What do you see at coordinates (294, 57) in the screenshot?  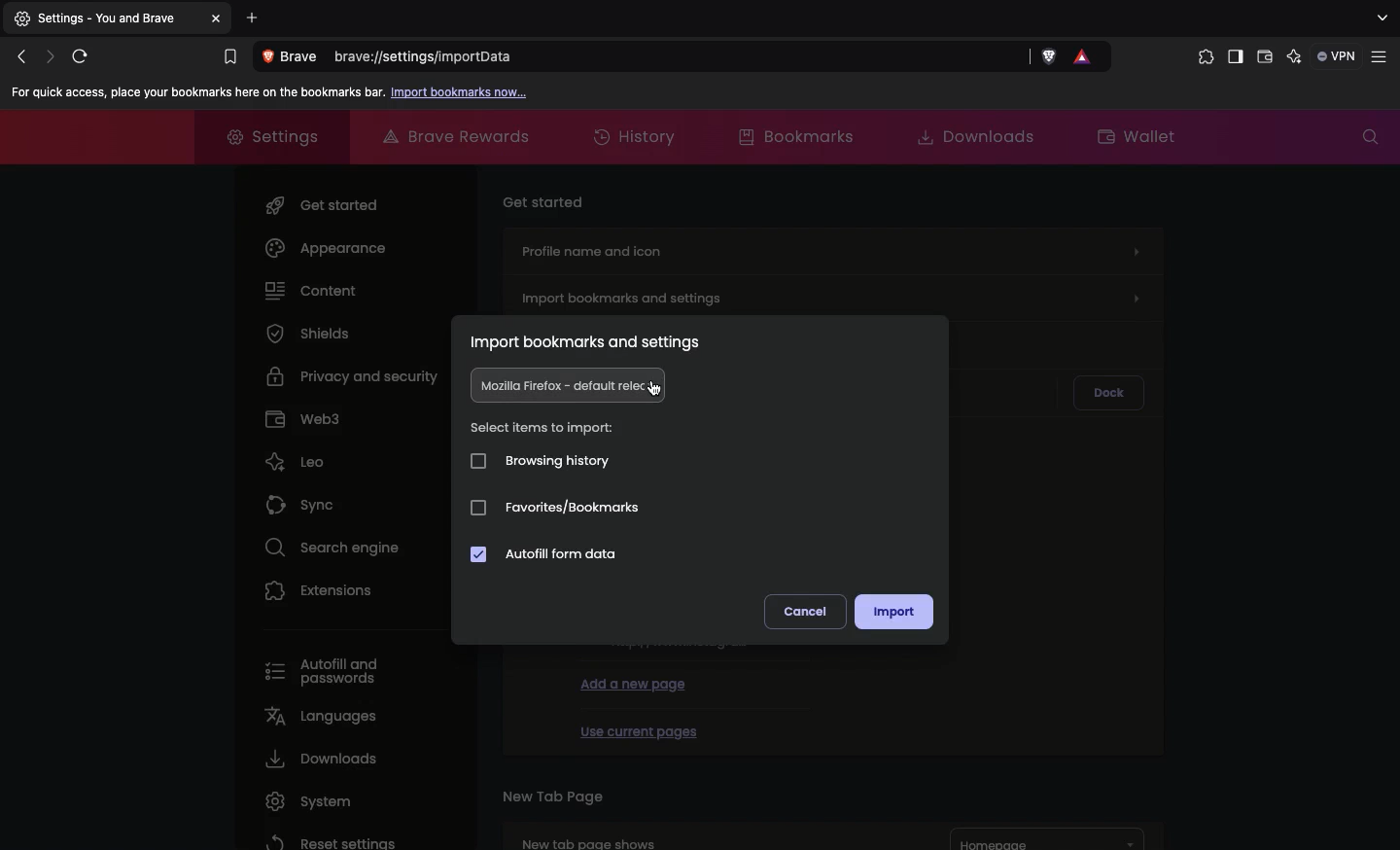 I see `View site information` at bounding box center [294, 57].